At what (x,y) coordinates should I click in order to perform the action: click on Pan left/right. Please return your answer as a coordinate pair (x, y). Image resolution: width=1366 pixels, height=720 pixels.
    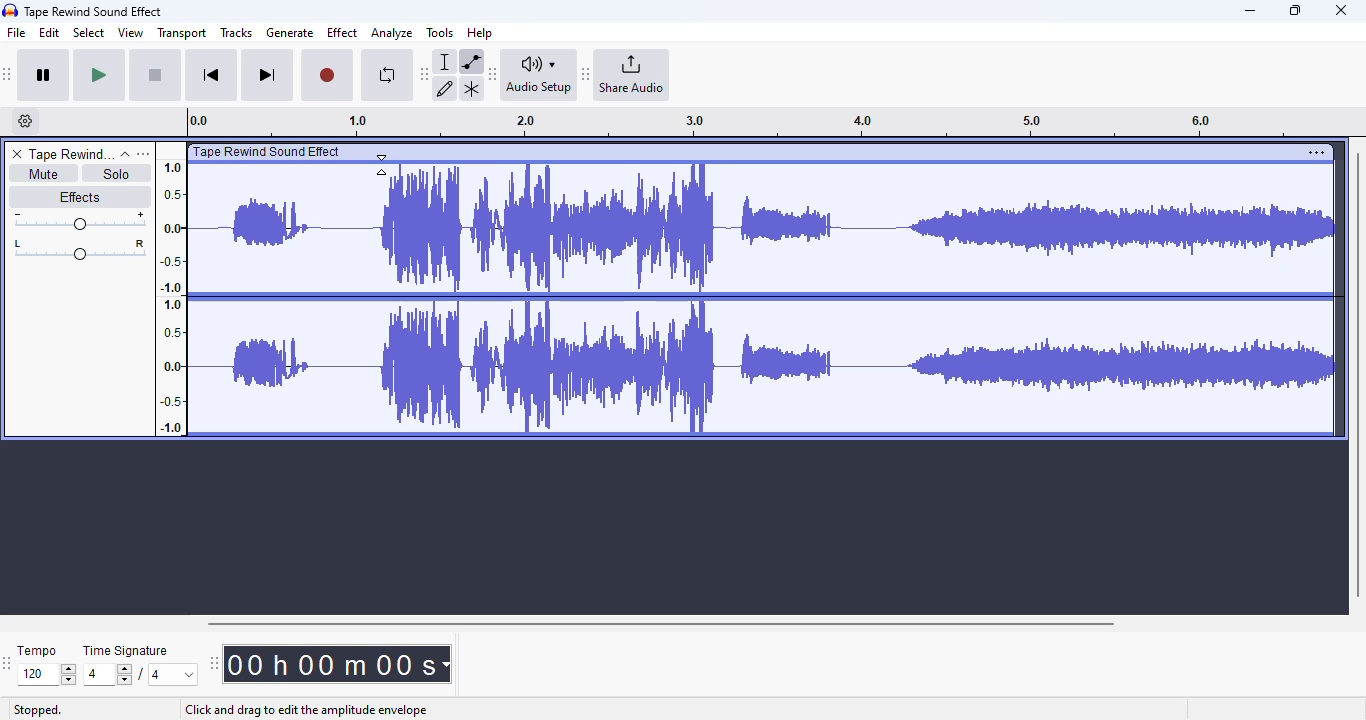
    Looking at the image, I should click on (80, 250).